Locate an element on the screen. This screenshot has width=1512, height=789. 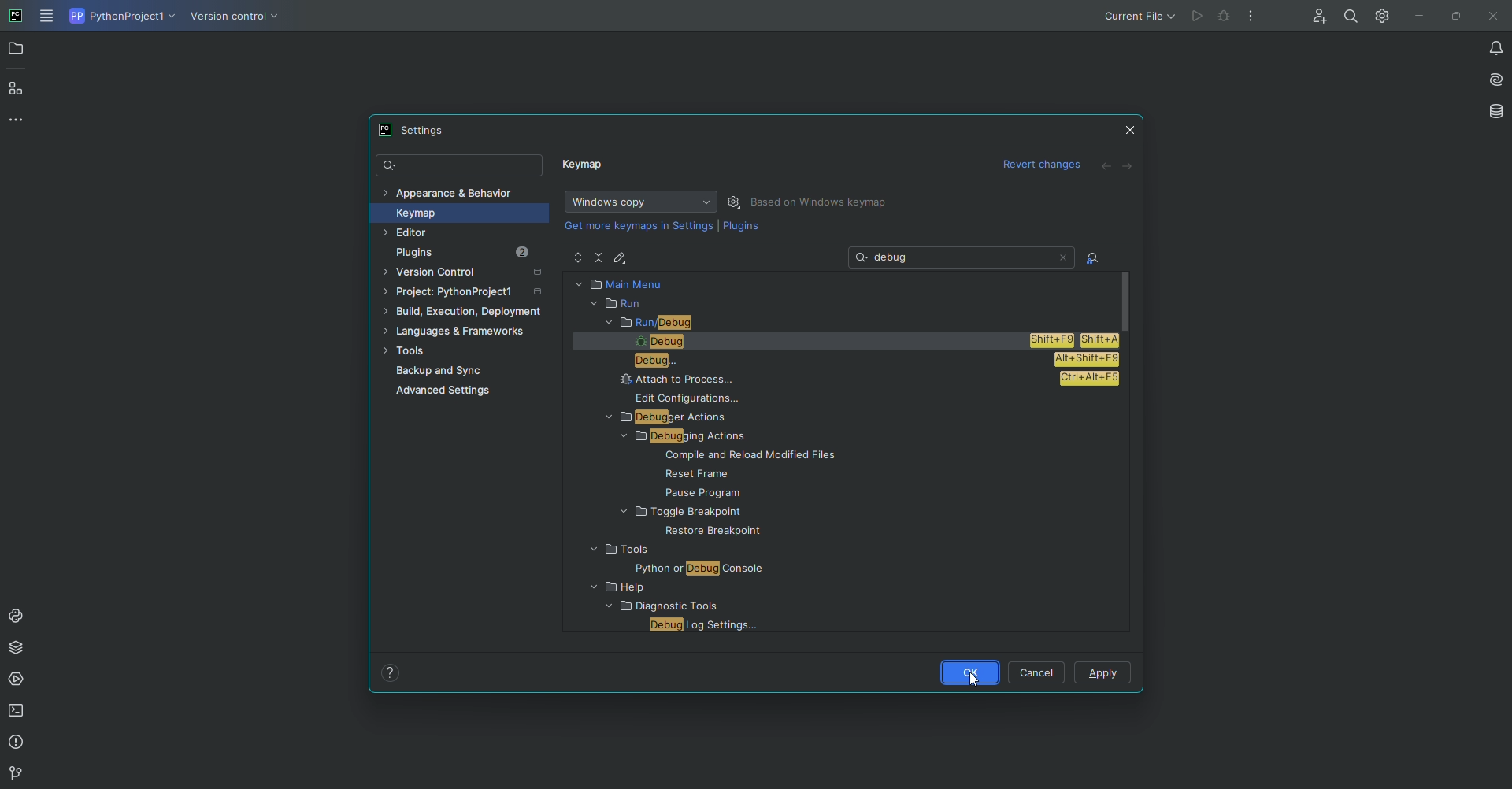
FOLDER NAME is located at coordinates (727, 513).